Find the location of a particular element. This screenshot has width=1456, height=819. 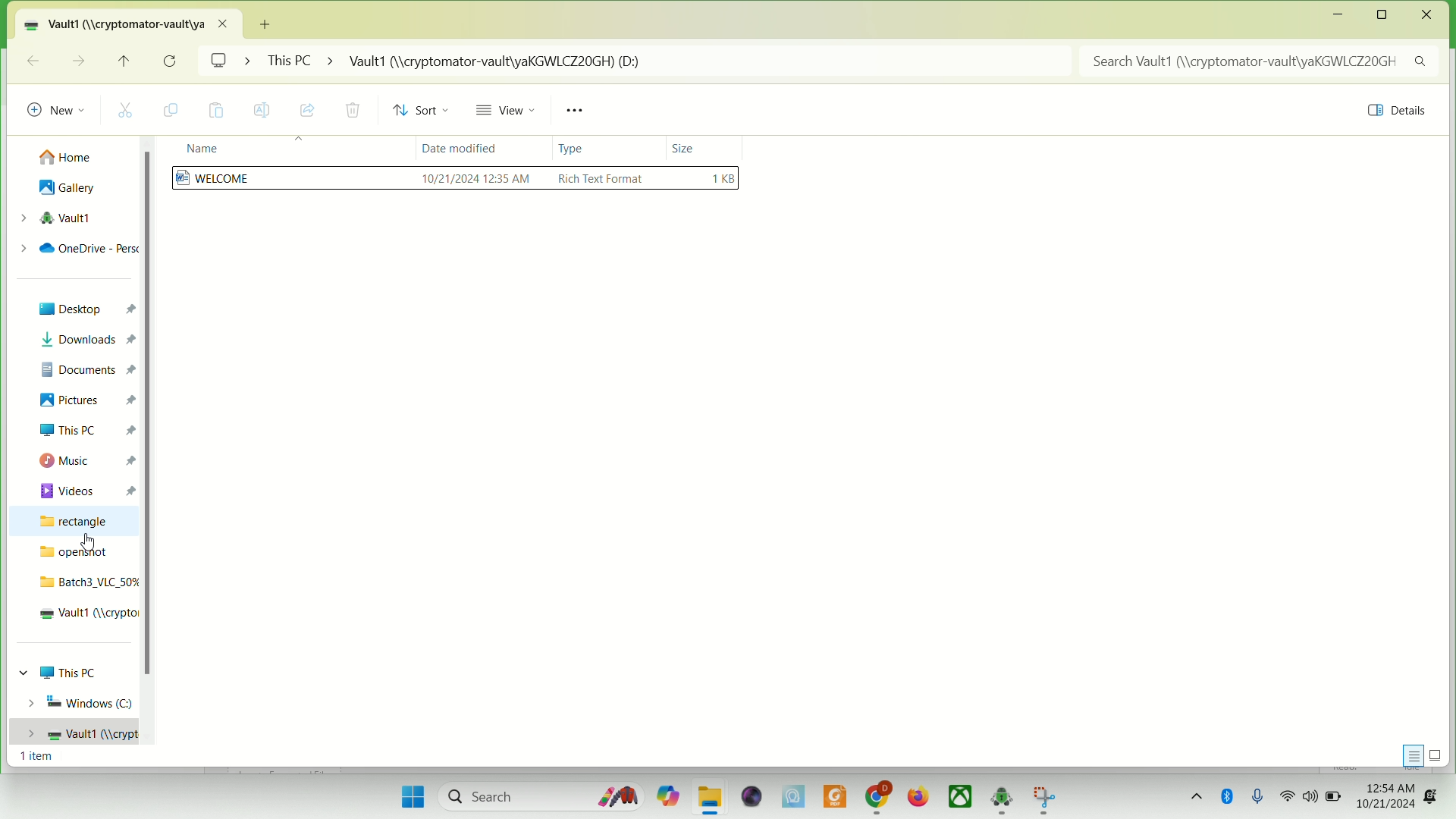

This PC is located at coordinates (66, 672).